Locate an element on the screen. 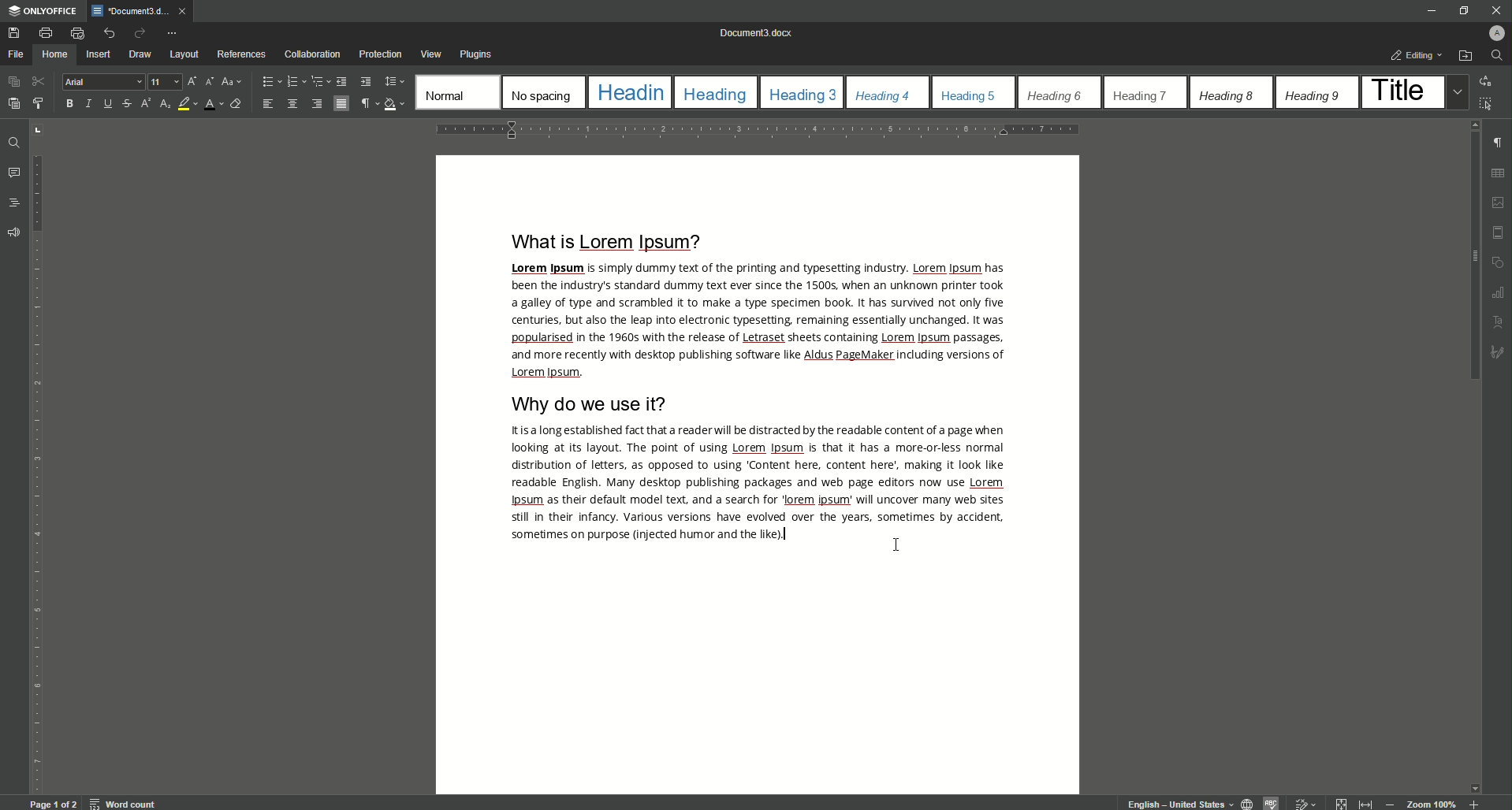  horizontal scale is located at coordinates (756, 132).